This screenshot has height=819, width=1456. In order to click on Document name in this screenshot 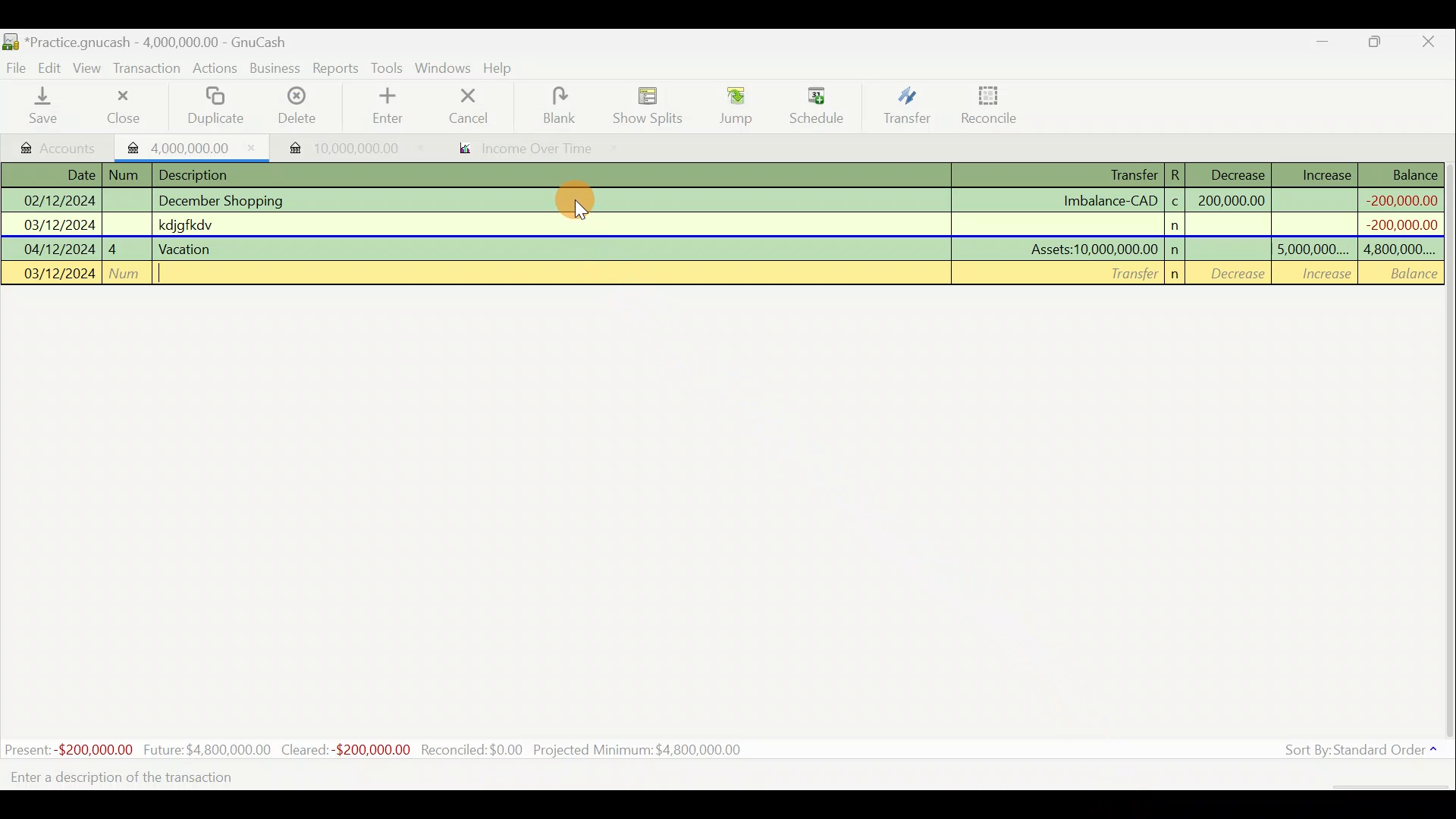, I will do `click(163, 43)`.